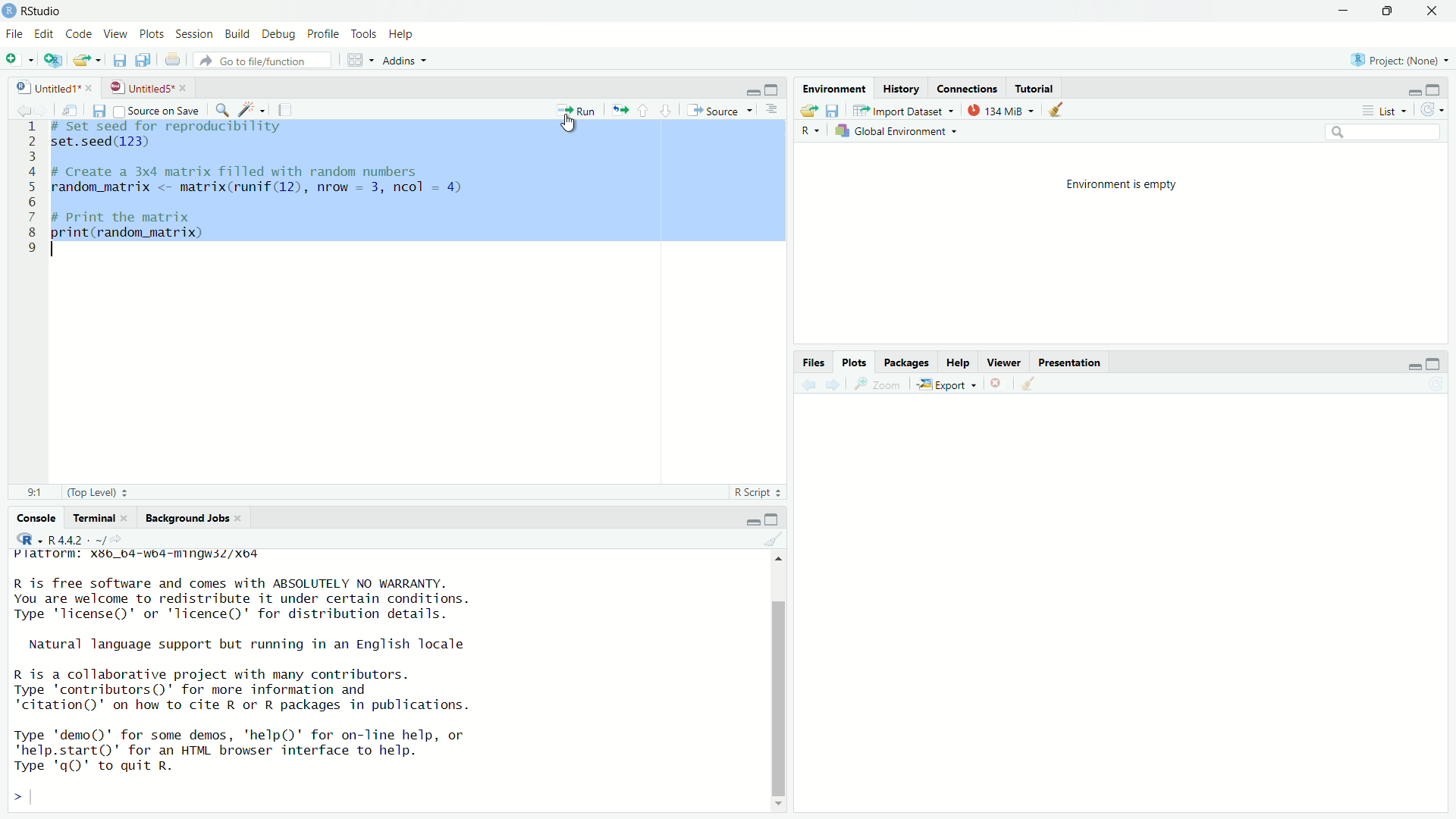 The width and height of the screenshot is (1456, 819). Describe the element at coordinates (173, 59) in the screenshot. I see `print` at that location.